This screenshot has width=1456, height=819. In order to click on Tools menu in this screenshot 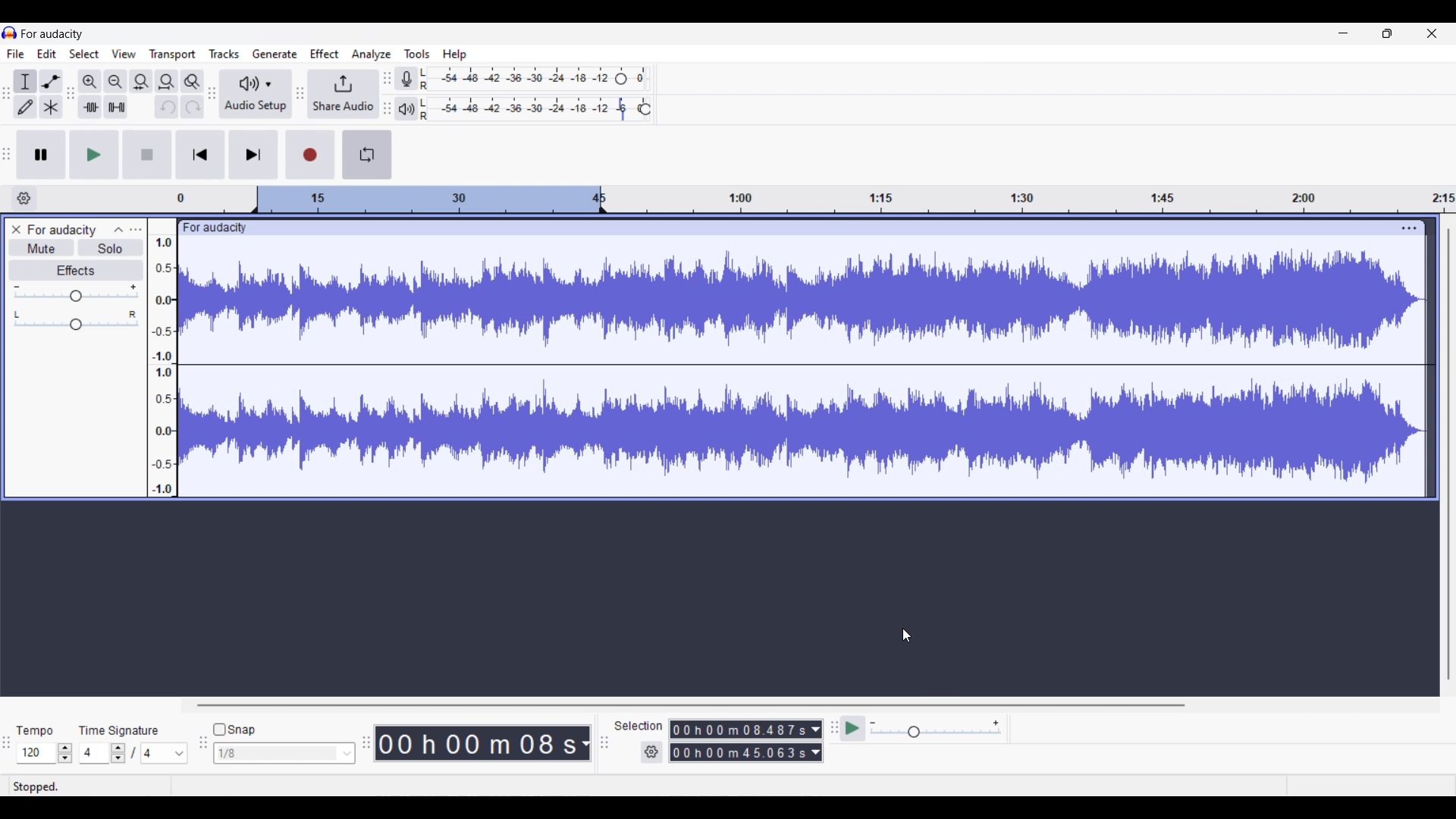, I will do `click(417, 54)`.